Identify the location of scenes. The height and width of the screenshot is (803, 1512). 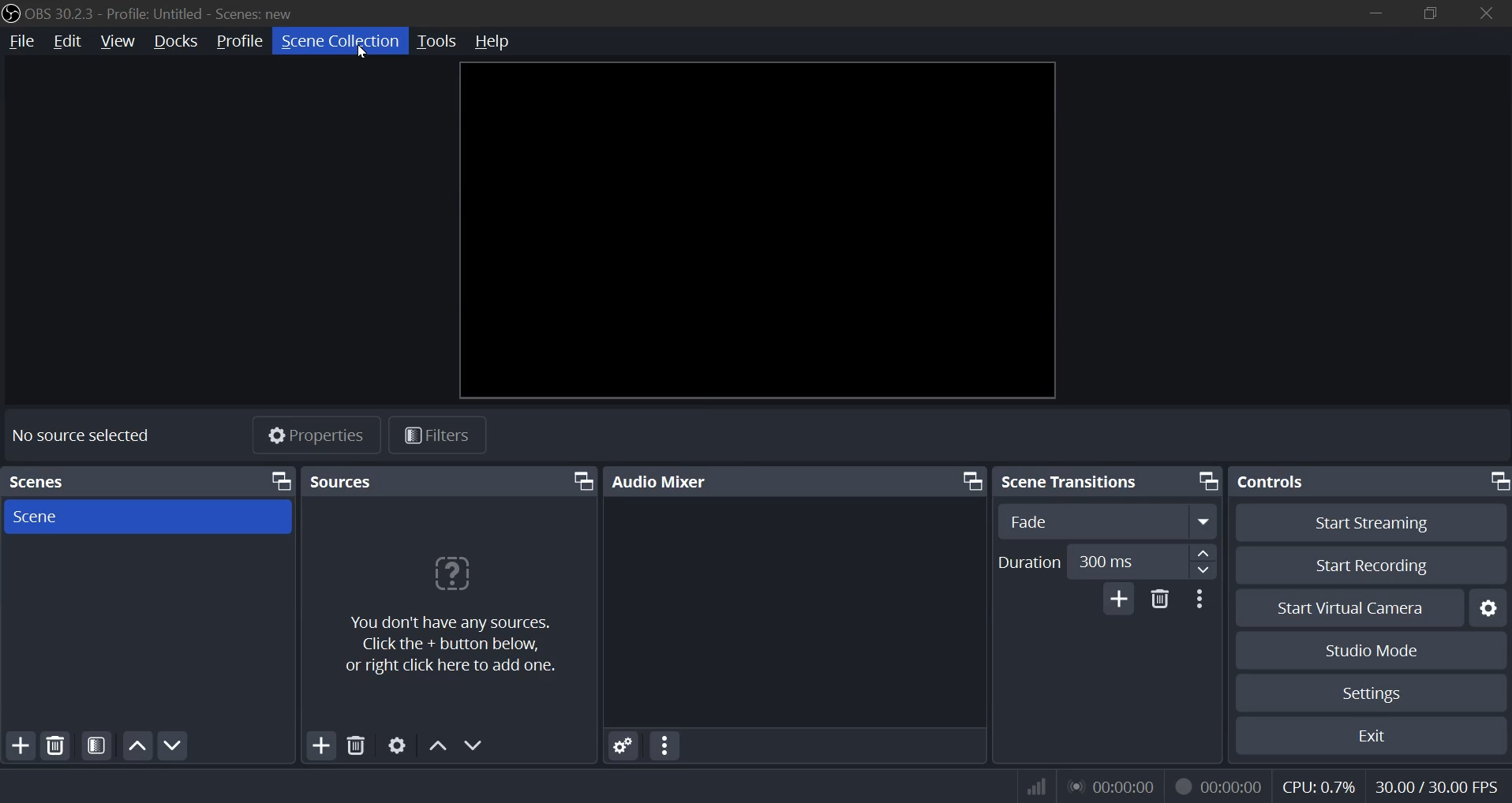
(43, 481).